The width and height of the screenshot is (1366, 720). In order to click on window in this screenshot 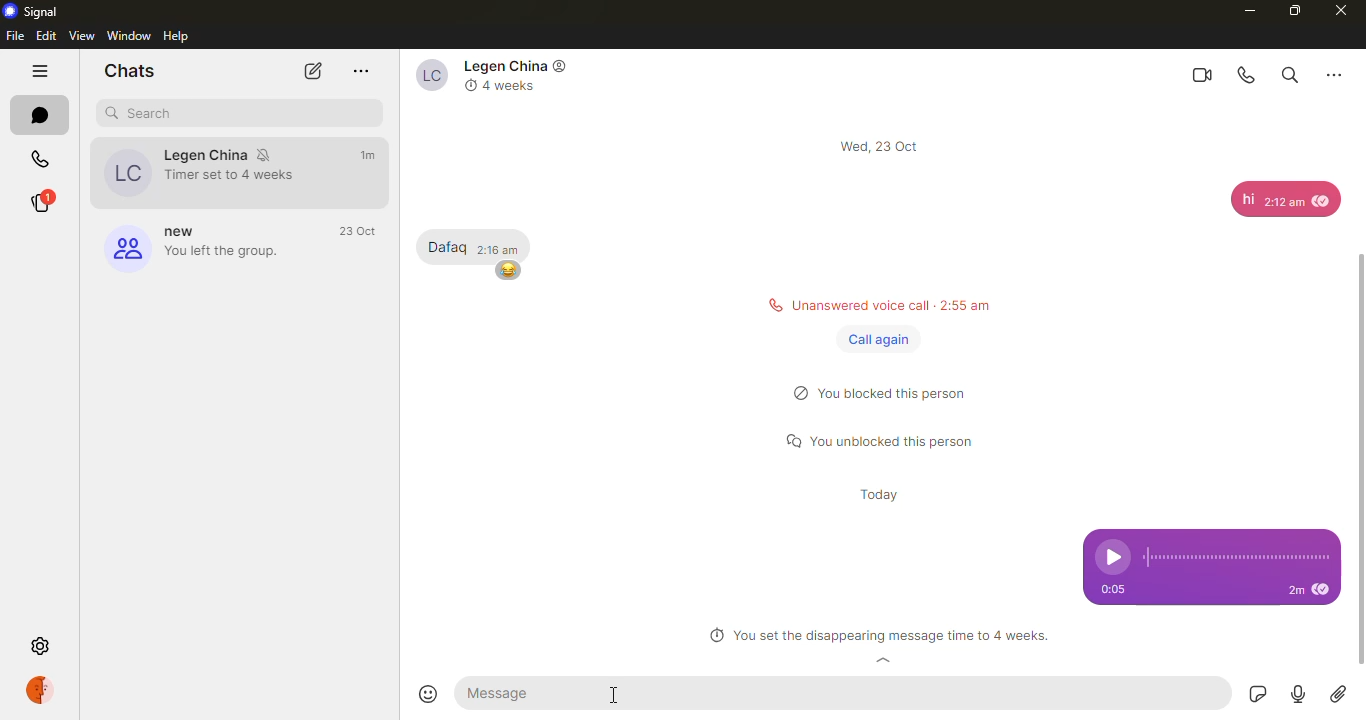, I will do `click(130, 35)`.